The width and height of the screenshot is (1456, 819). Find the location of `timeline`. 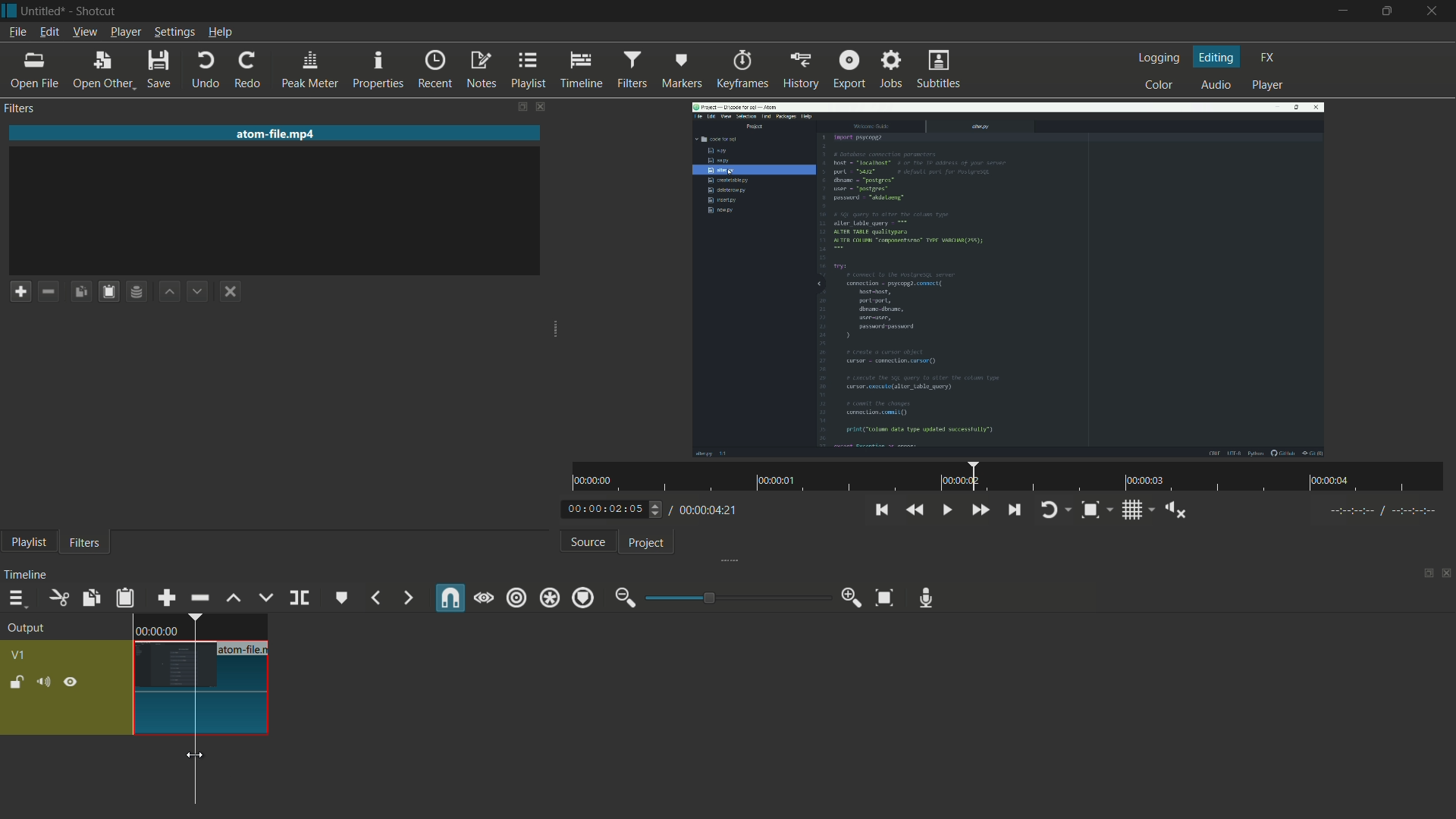

timeline is located at coordinates (581, 71).